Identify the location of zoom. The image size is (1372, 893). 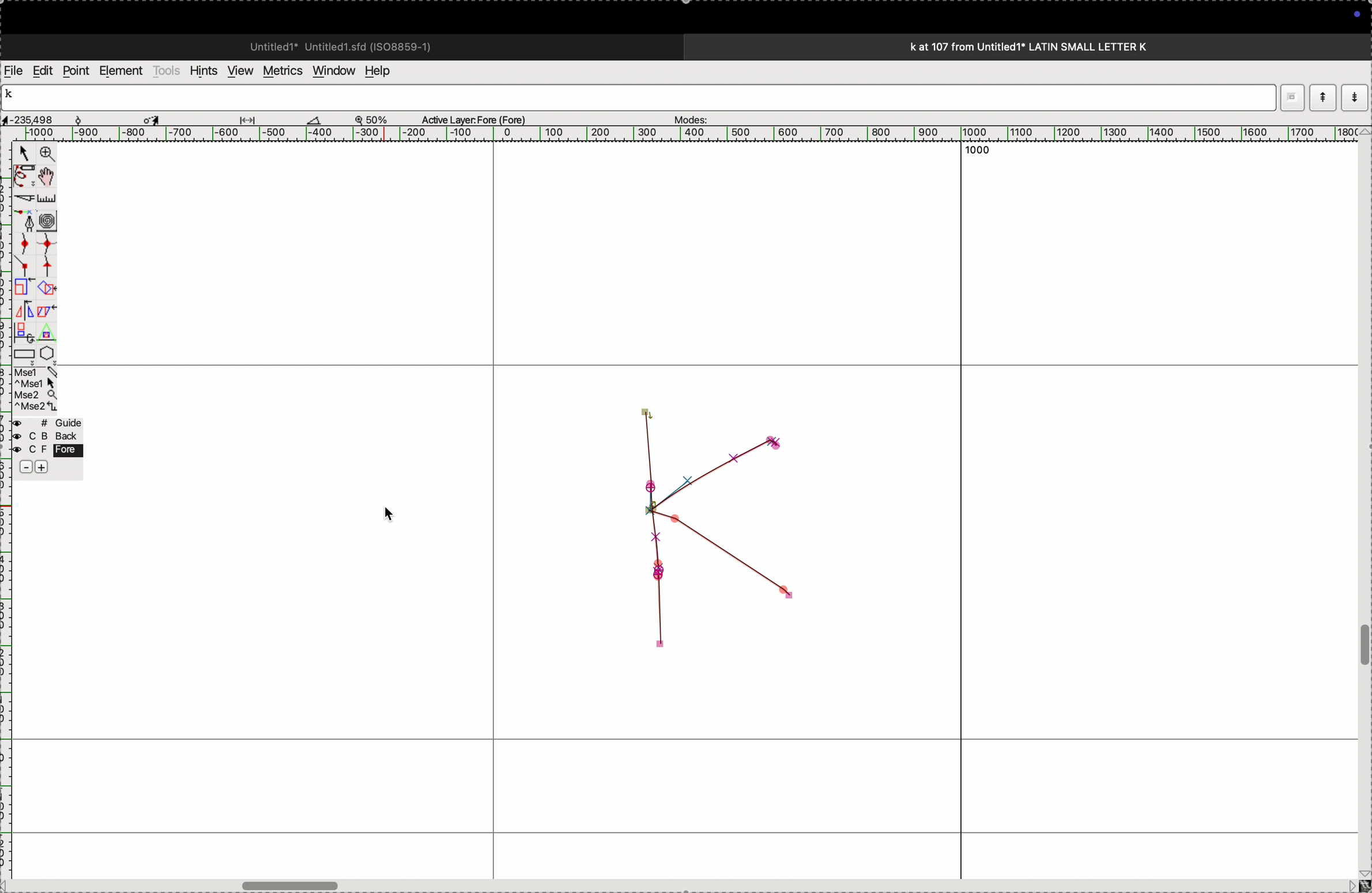
(377, 119).